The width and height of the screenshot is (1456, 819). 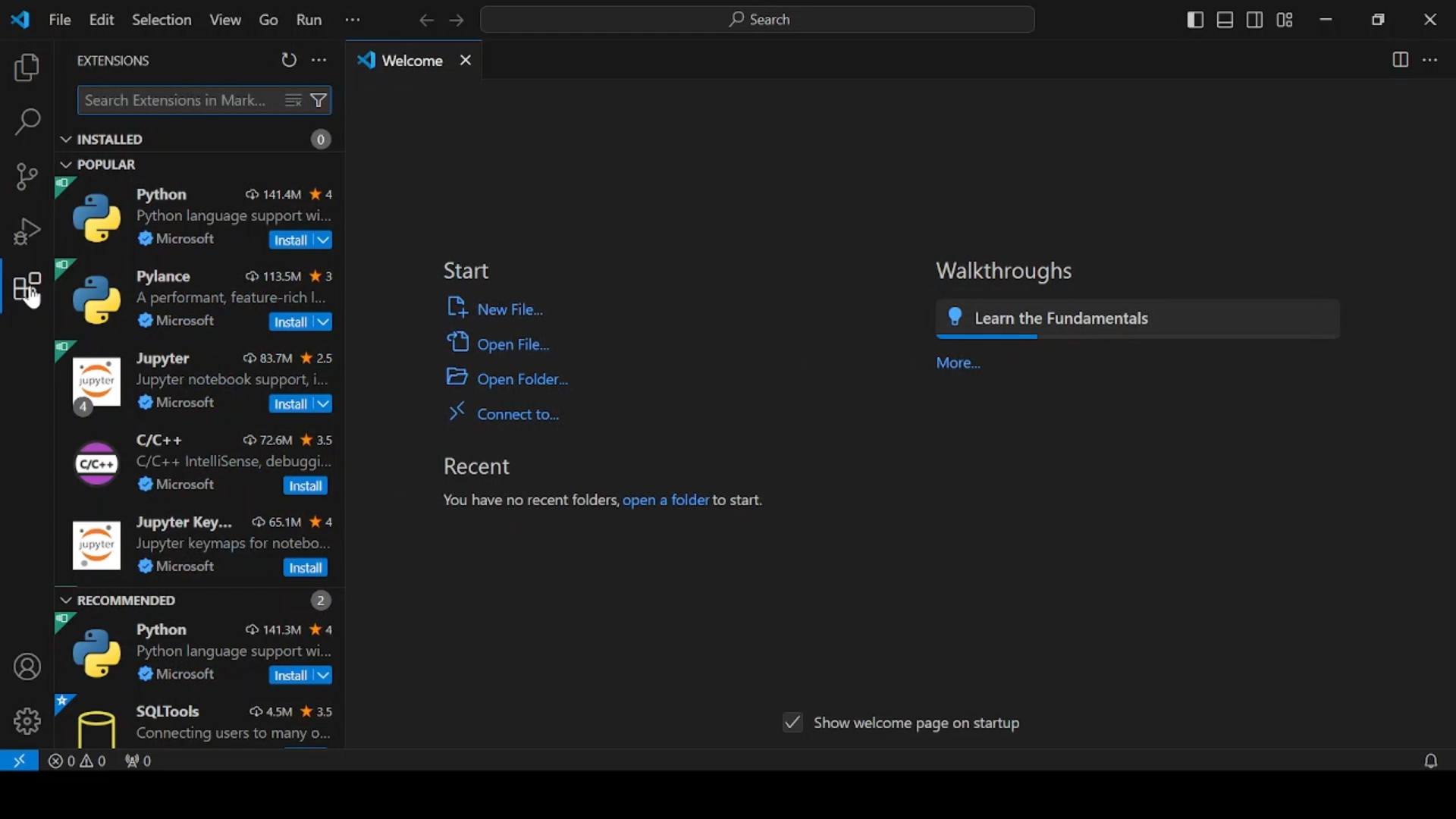 I want to click on 2, so click(x=318, y=597).